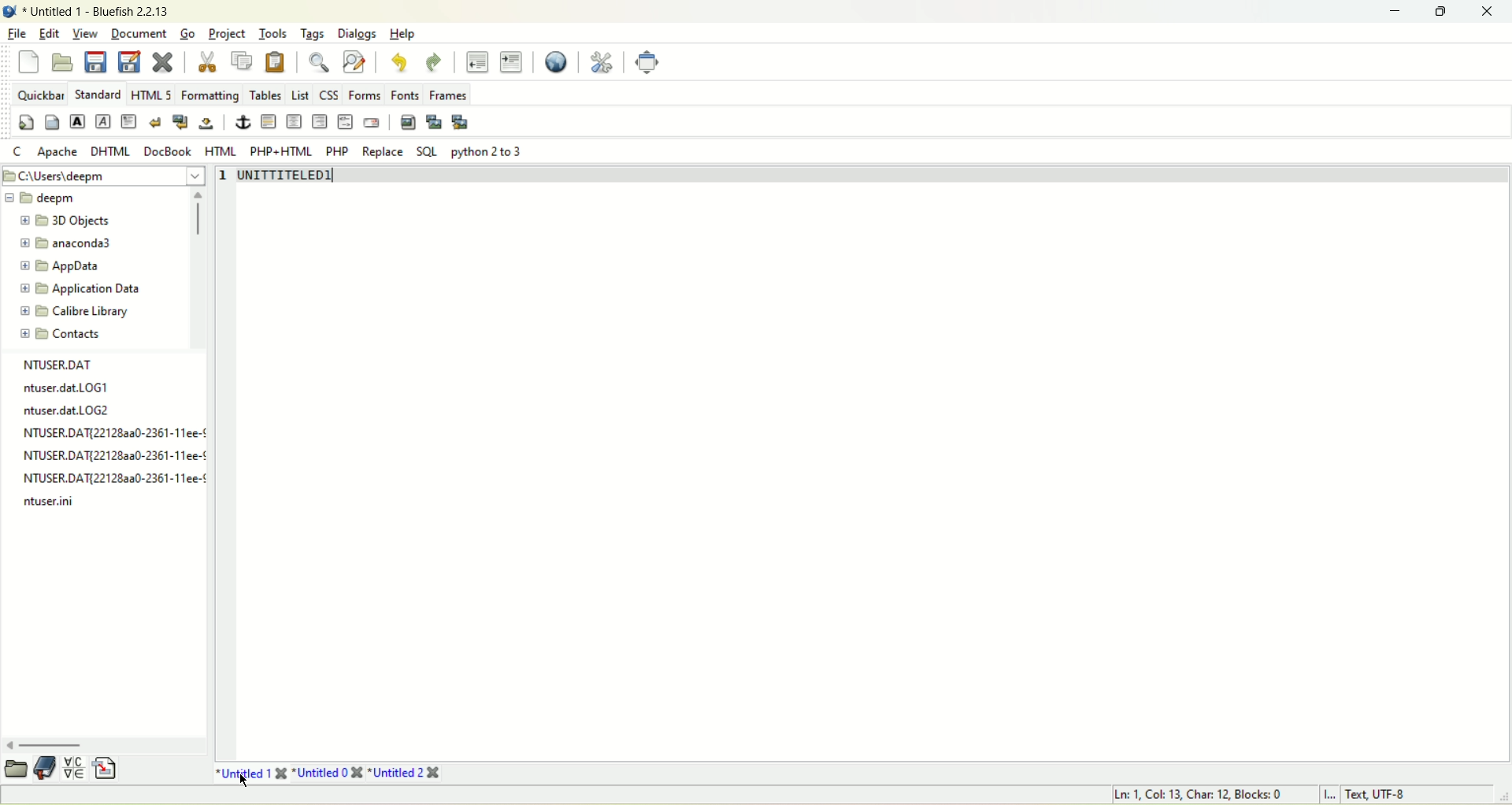 Image resolution: width=1512 pixels, height=805 pixels. Describe the element at coordinates (51, 122) in the screenshot. I see `body` at that location.